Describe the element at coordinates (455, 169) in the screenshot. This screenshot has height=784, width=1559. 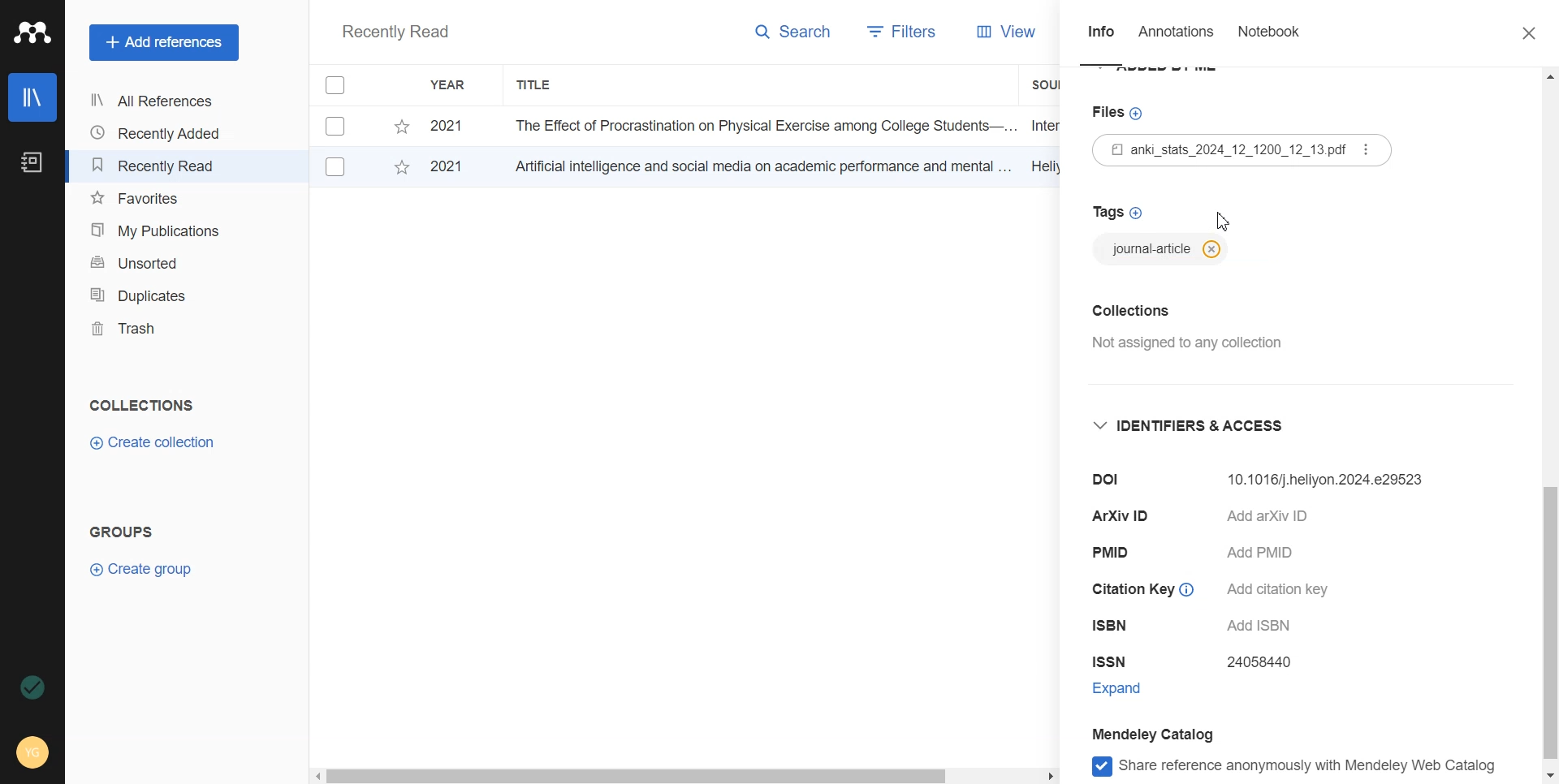
I see `2021` at that location.